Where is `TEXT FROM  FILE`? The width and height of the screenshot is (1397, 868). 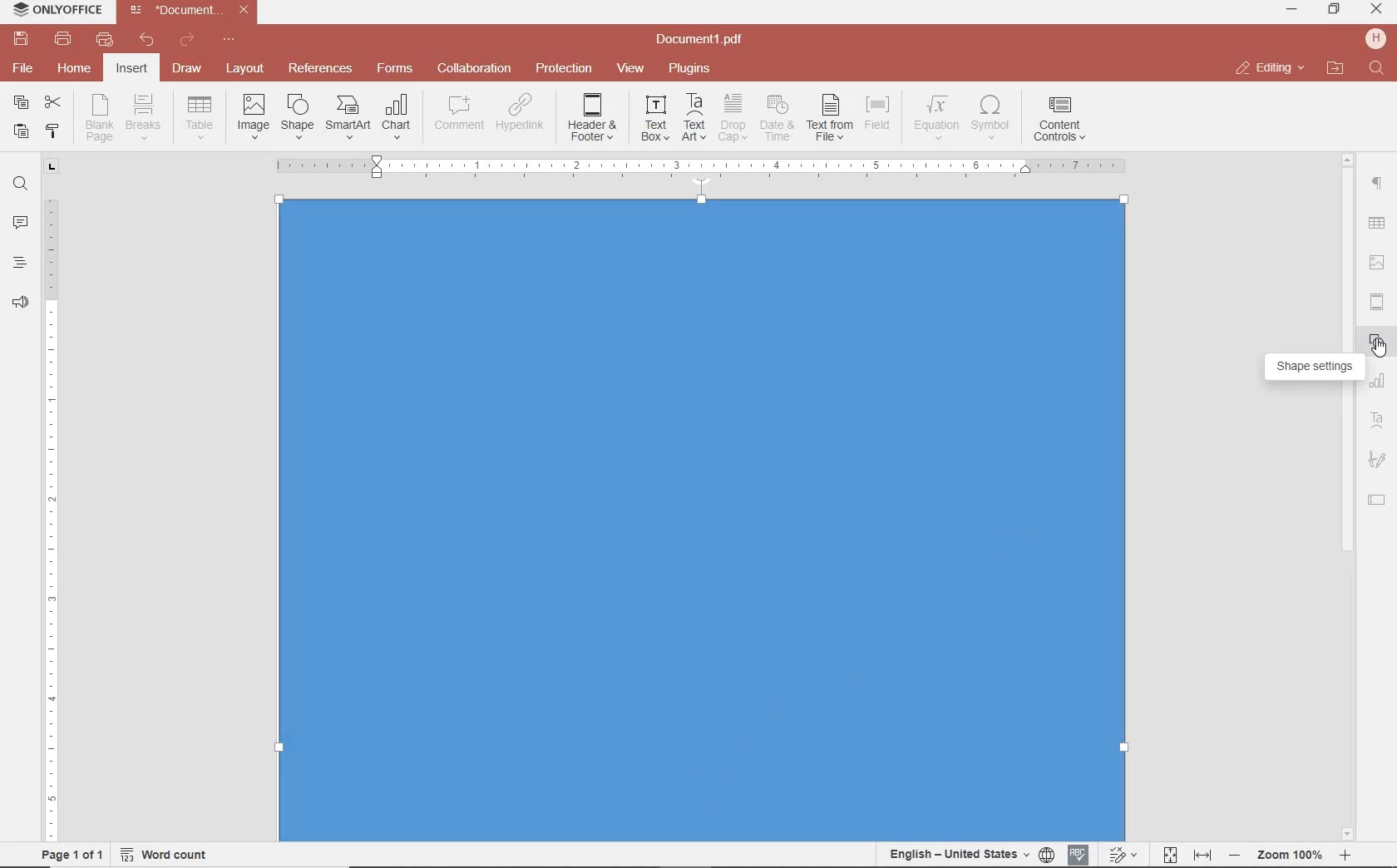
TEXT FROM  FILE is located at coordinates (830, 118).